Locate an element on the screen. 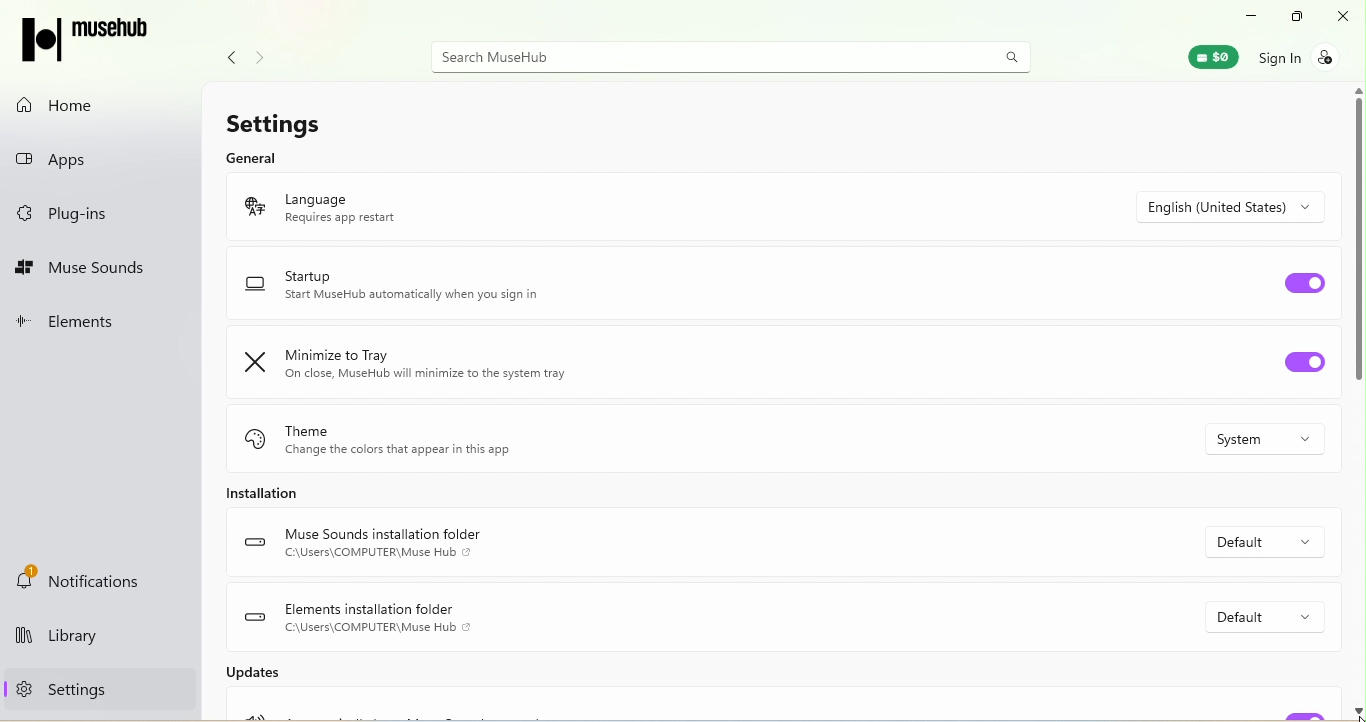  Elements is located at coordinates (78, 324).